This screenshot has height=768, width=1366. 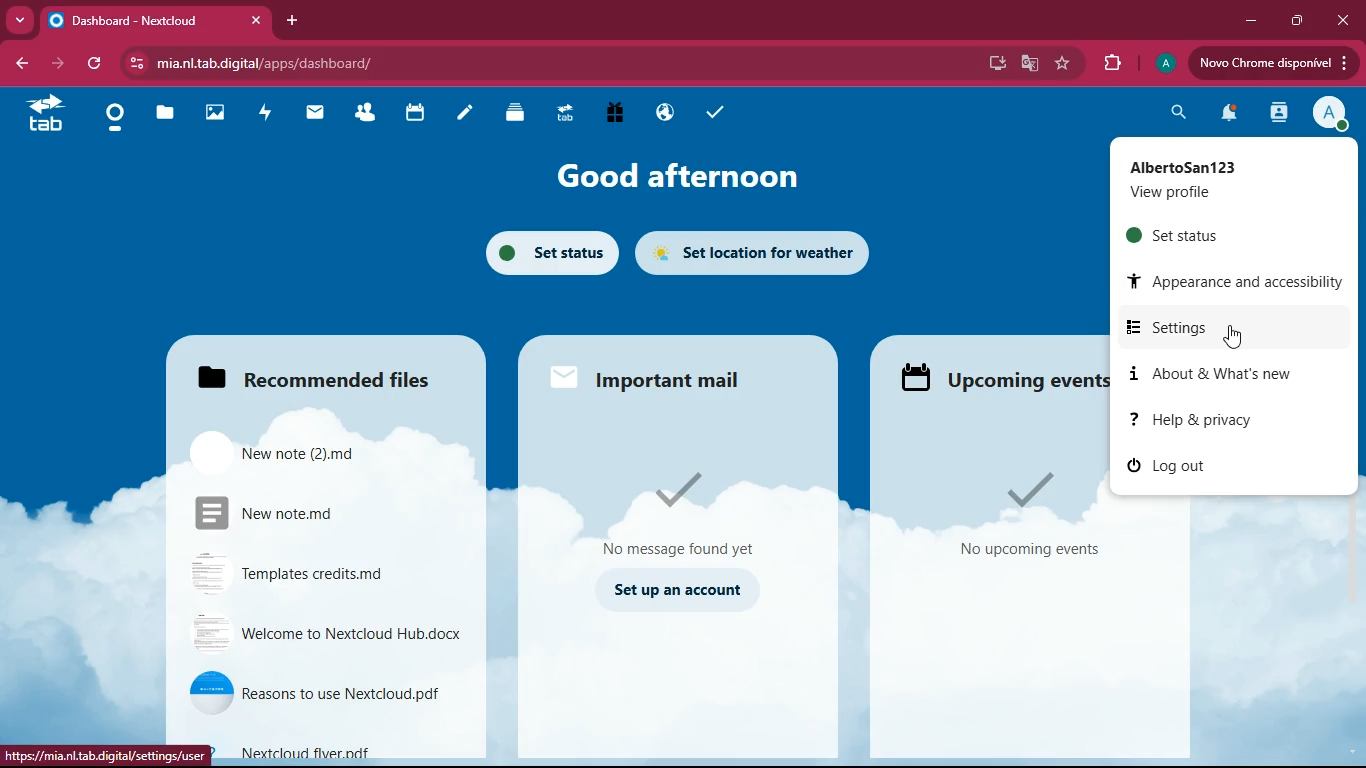 I want to click on file, so click(x=349, y=750).